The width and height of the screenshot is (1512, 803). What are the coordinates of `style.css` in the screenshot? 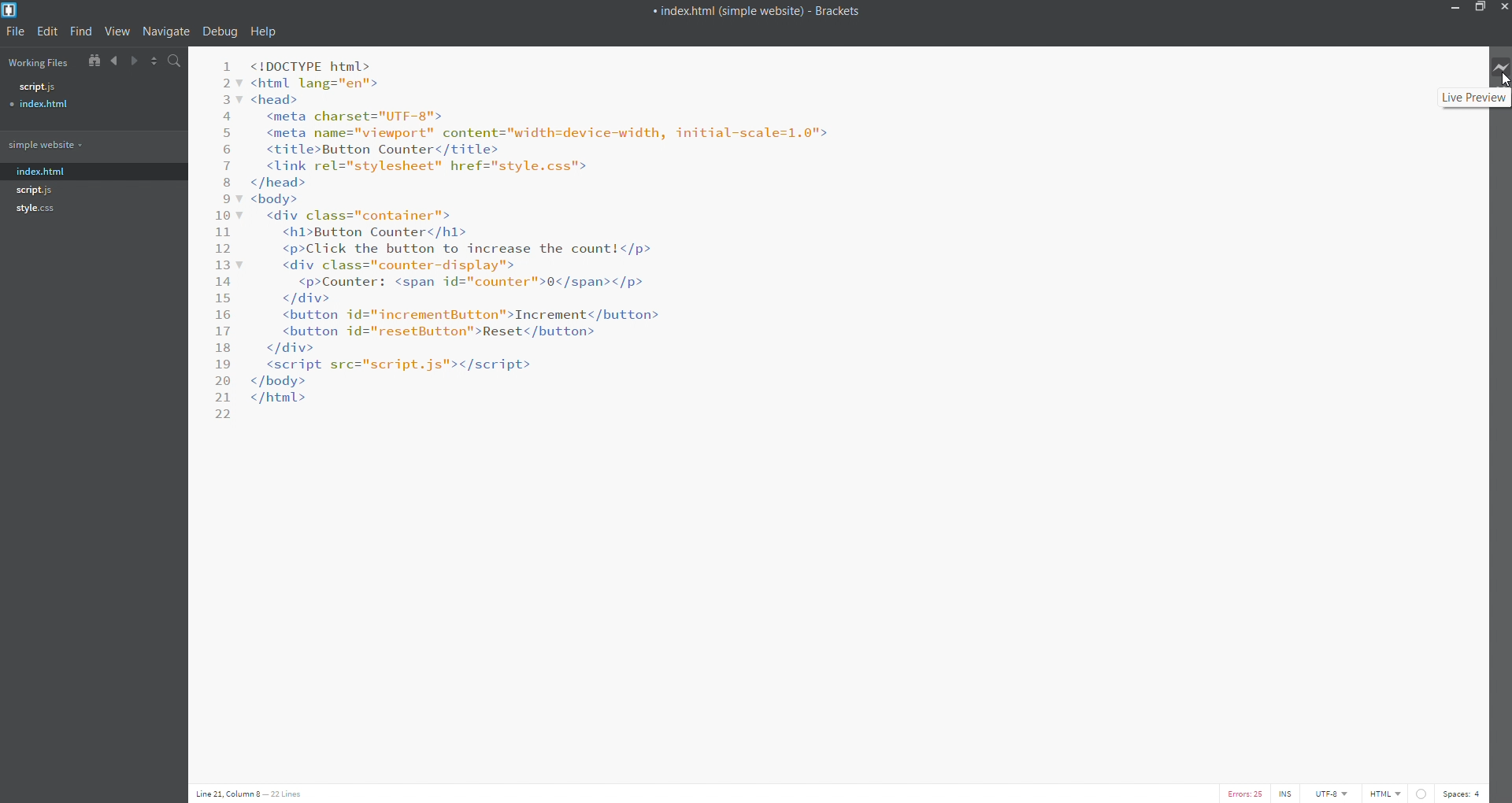 It's located at (36, 209).